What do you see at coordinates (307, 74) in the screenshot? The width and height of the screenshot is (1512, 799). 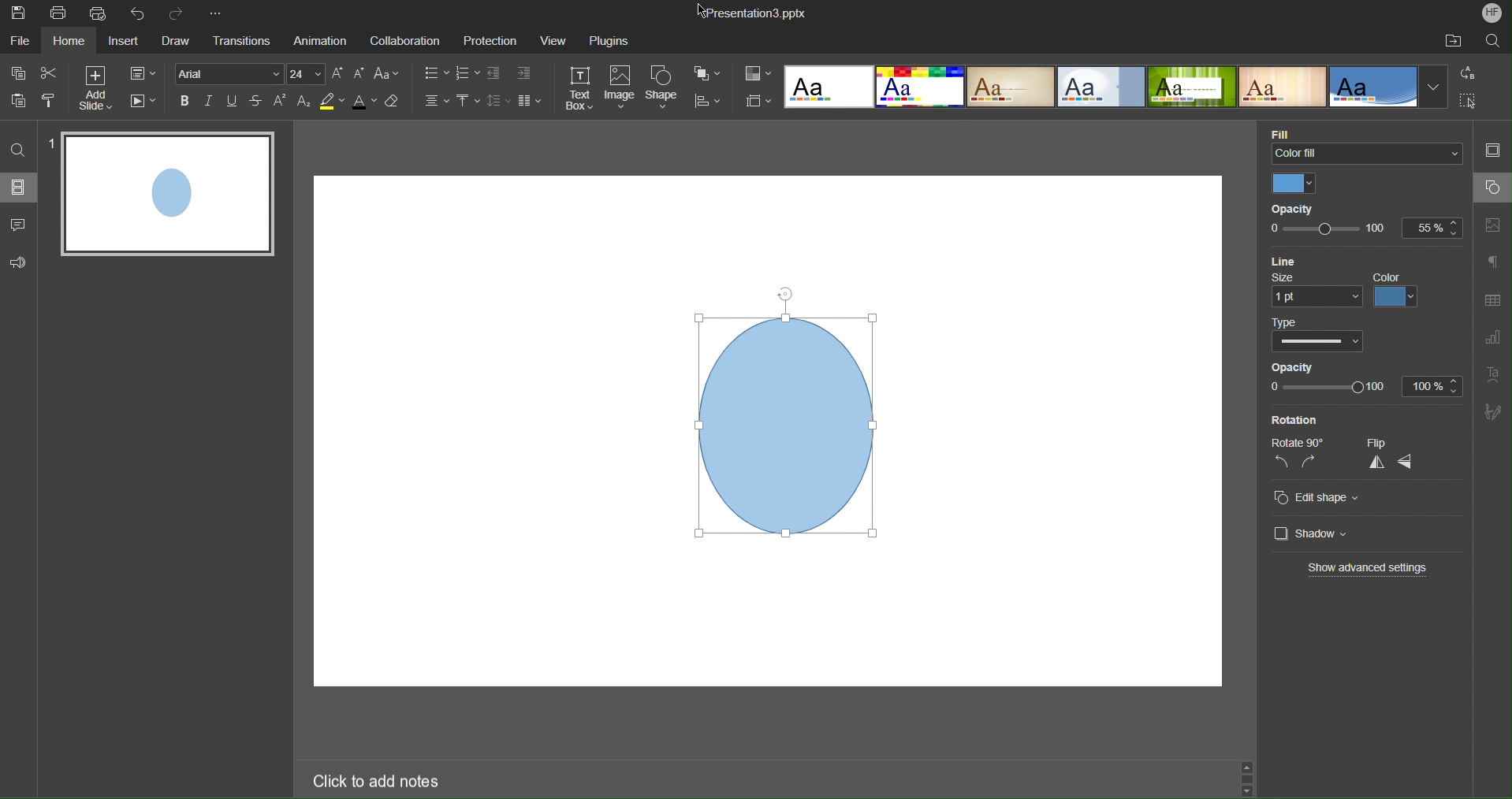 I see `24` at bounding box center [307, 74].